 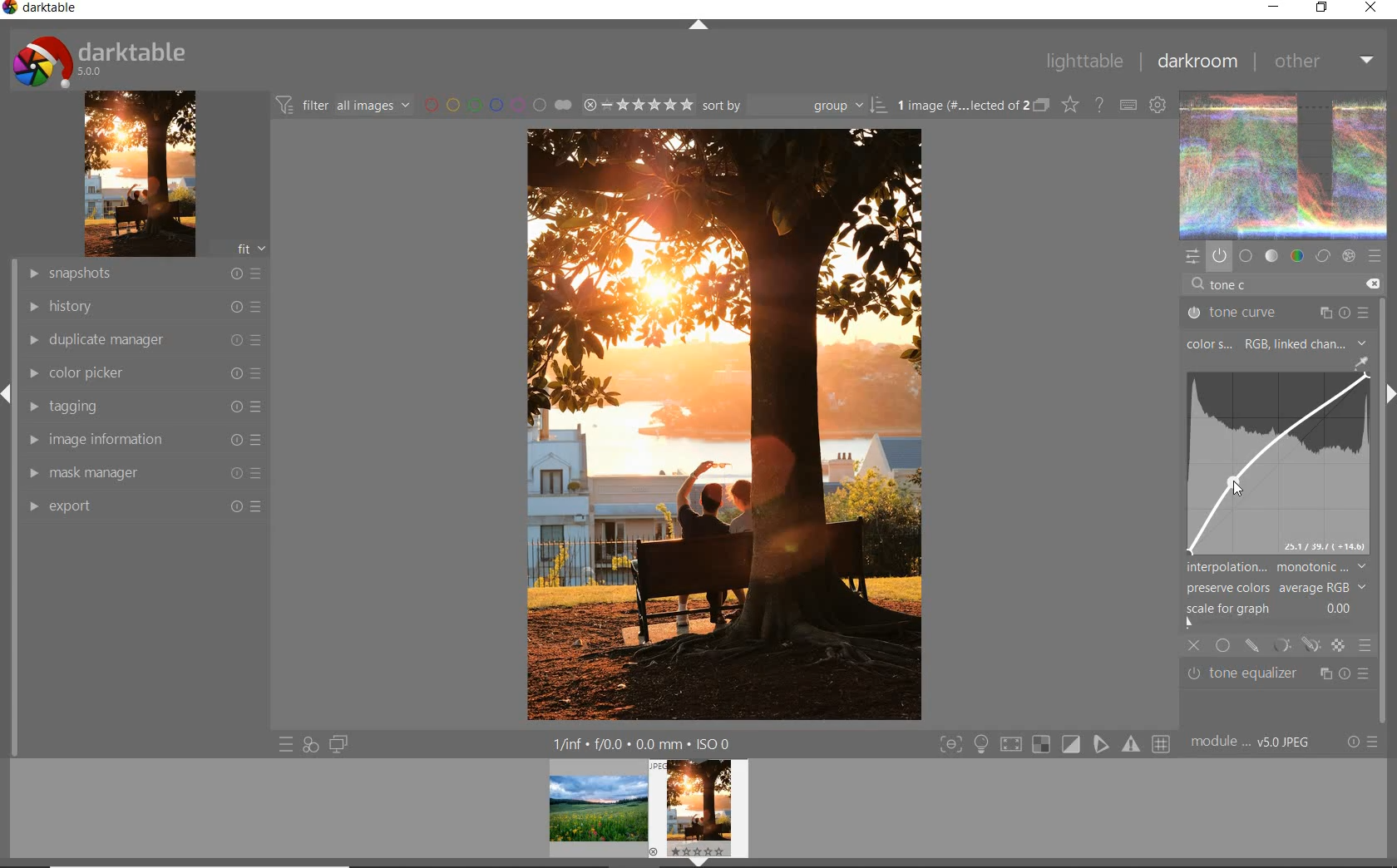 I want to click on uniformly, so click(x=1222, y=645).